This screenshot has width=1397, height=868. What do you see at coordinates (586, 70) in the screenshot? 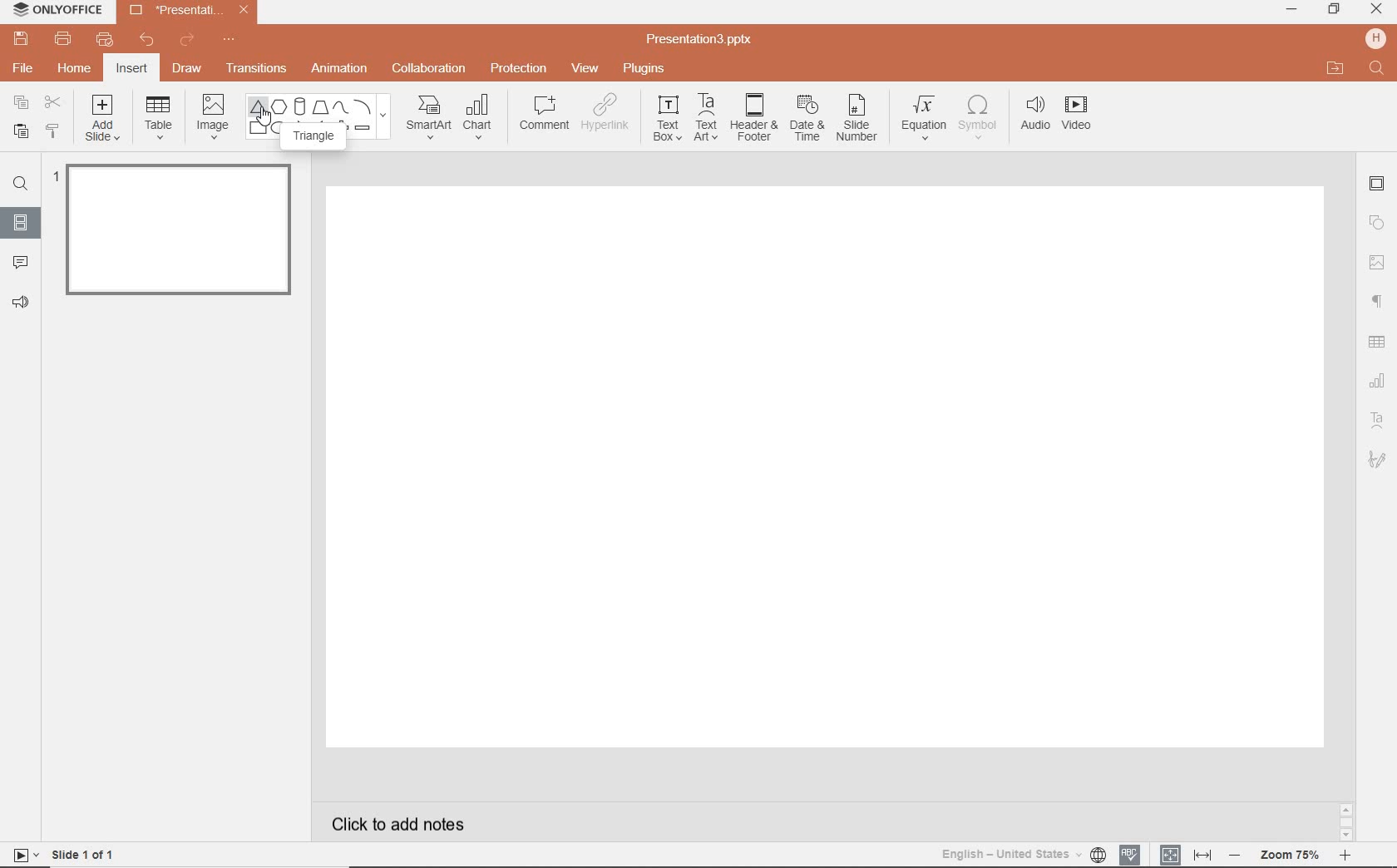
I see `VIEW` at bounding box center [586, 70].